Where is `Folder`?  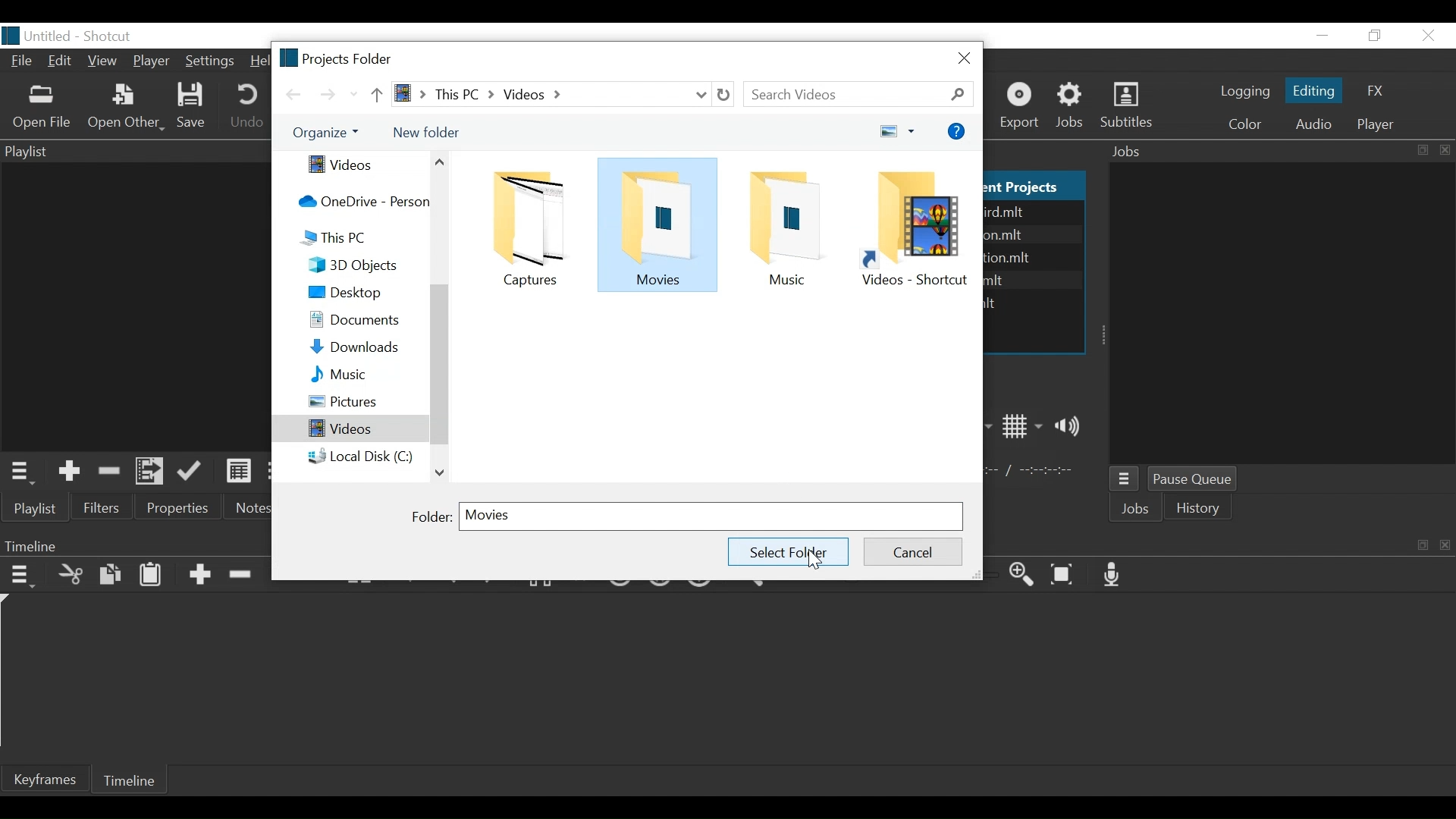 Folder is located at coordinates (654, 225).